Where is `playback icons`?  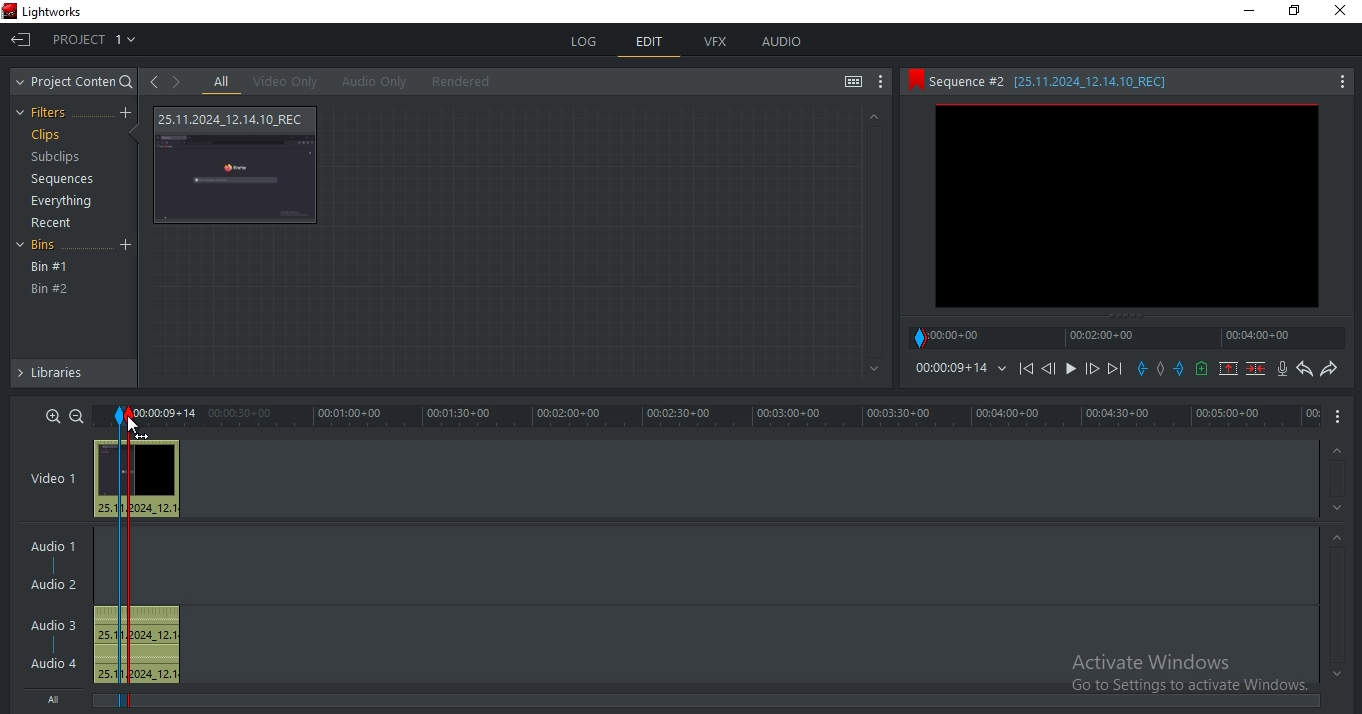 playback icons is located at coordinates (1025, 367).